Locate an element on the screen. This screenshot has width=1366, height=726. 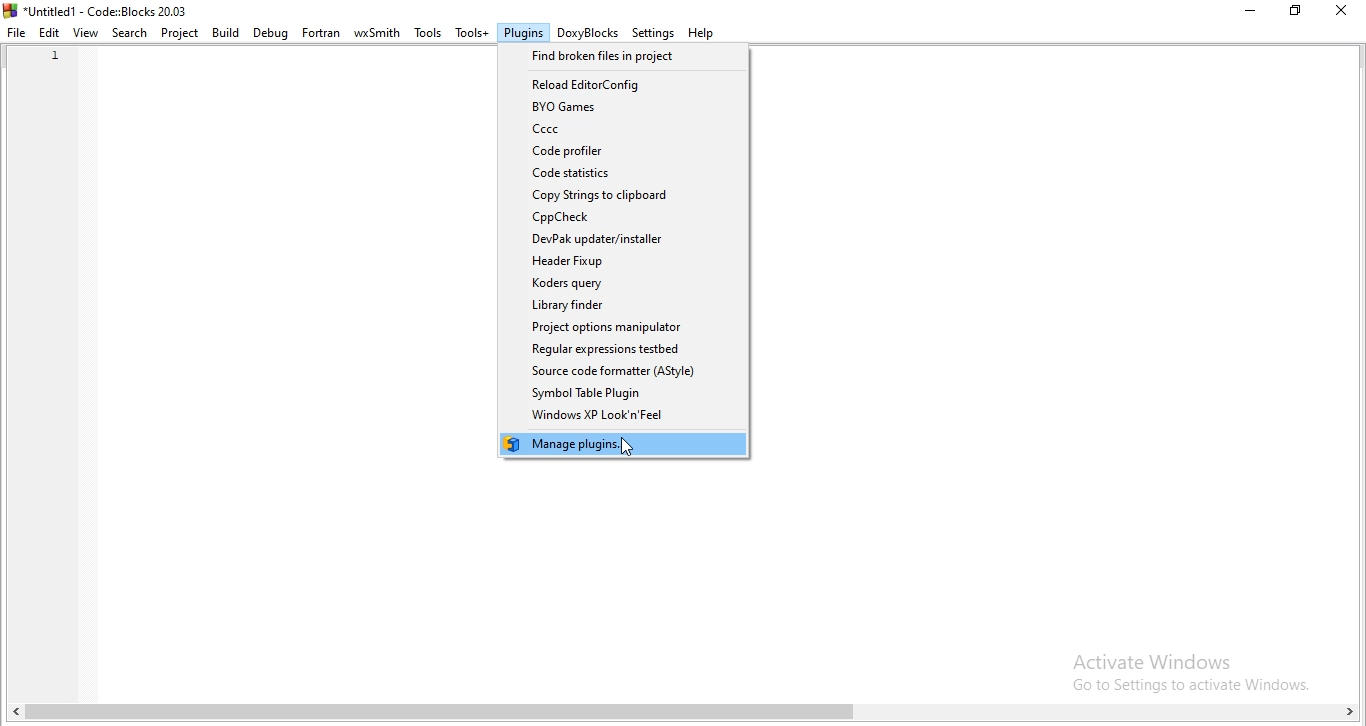
Cccc is located at coordinates (625, 130).